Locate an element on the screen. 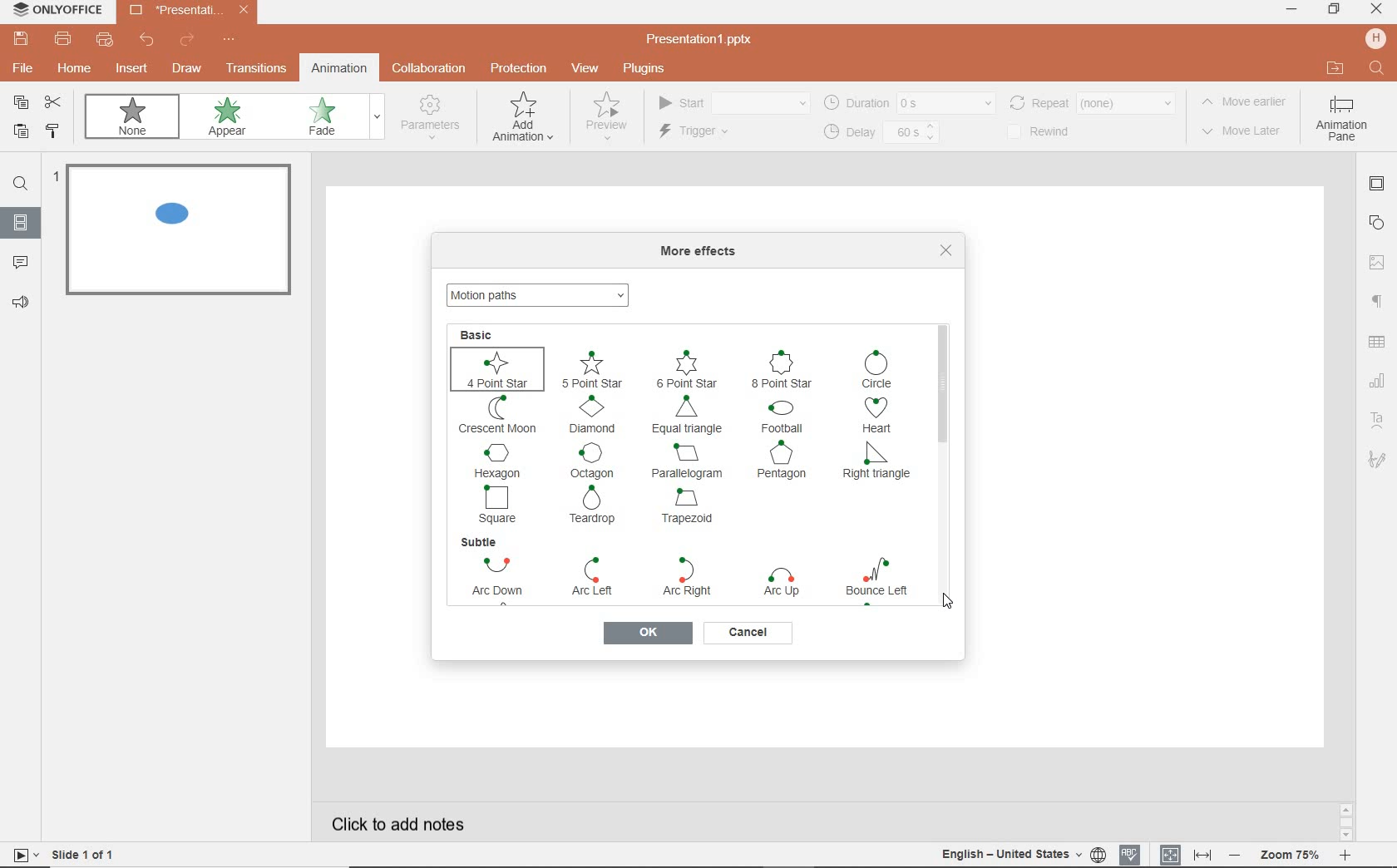 This screenshot has width=1397, height=868. Text art  is located at coordinates (1375, 418).